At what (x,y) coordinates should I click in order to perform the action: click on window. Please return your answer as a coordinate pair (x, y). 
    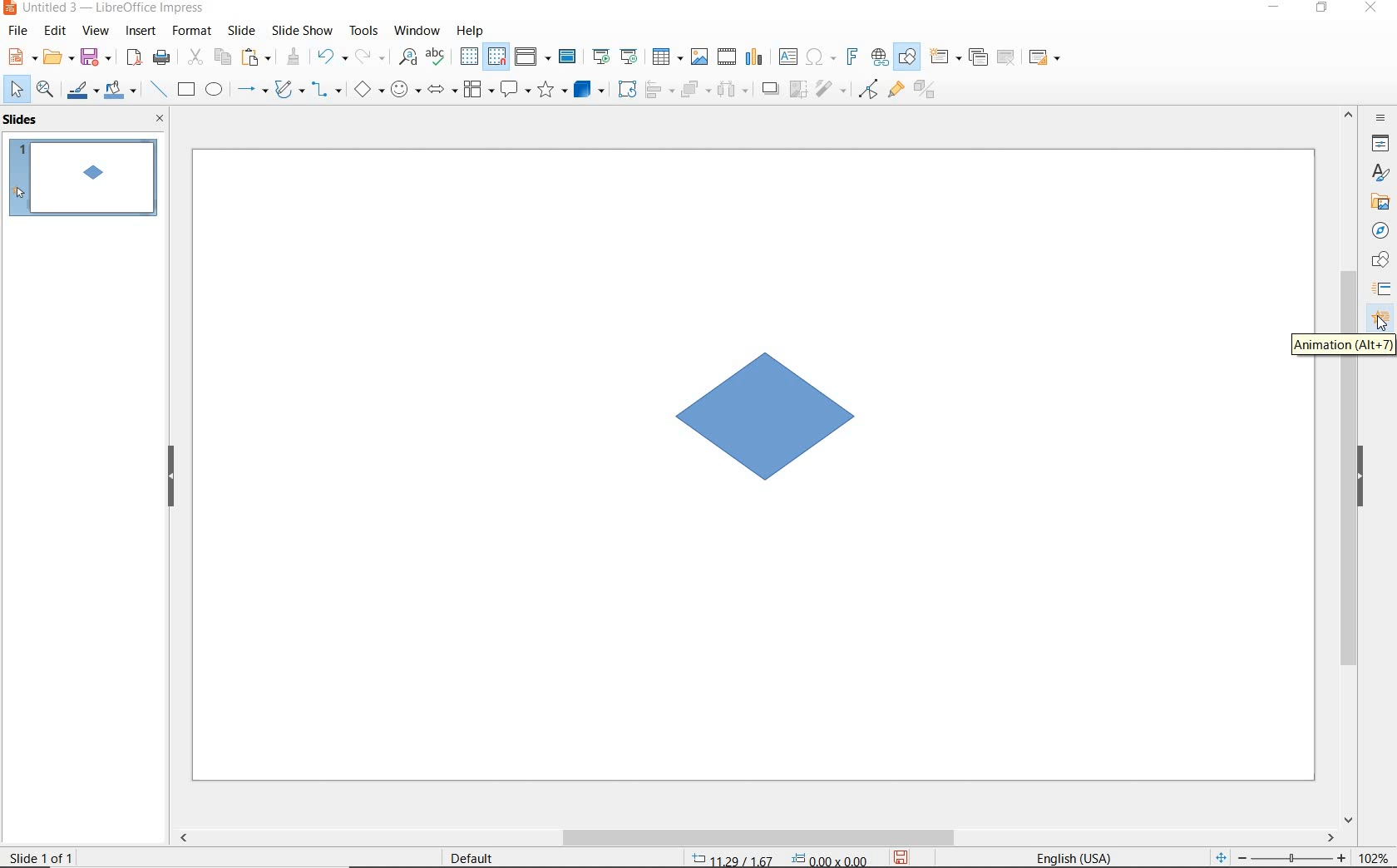
    Looking at the image, I should click on (419, 32).